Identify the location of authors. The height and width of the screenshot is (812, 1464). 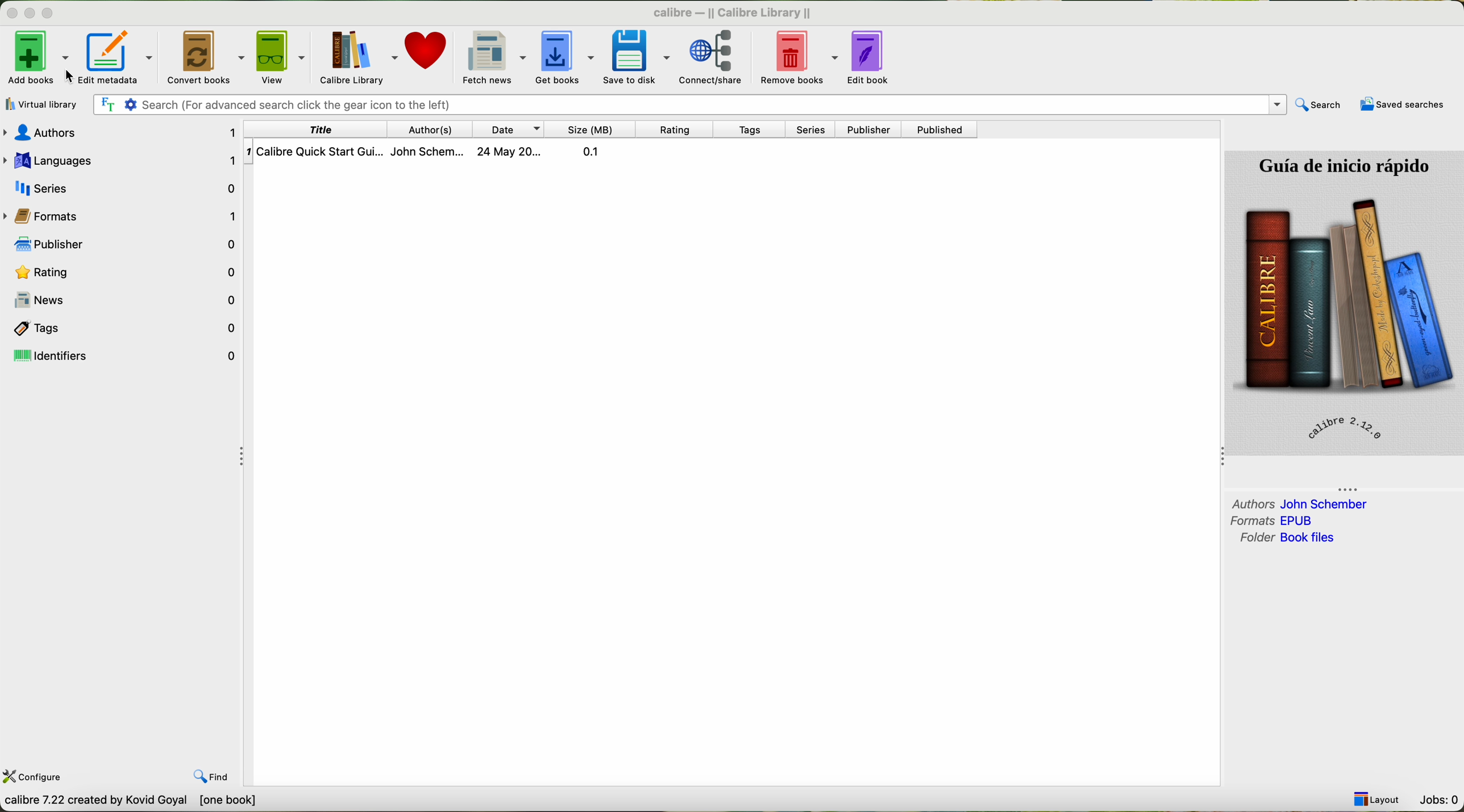
(123, 132).